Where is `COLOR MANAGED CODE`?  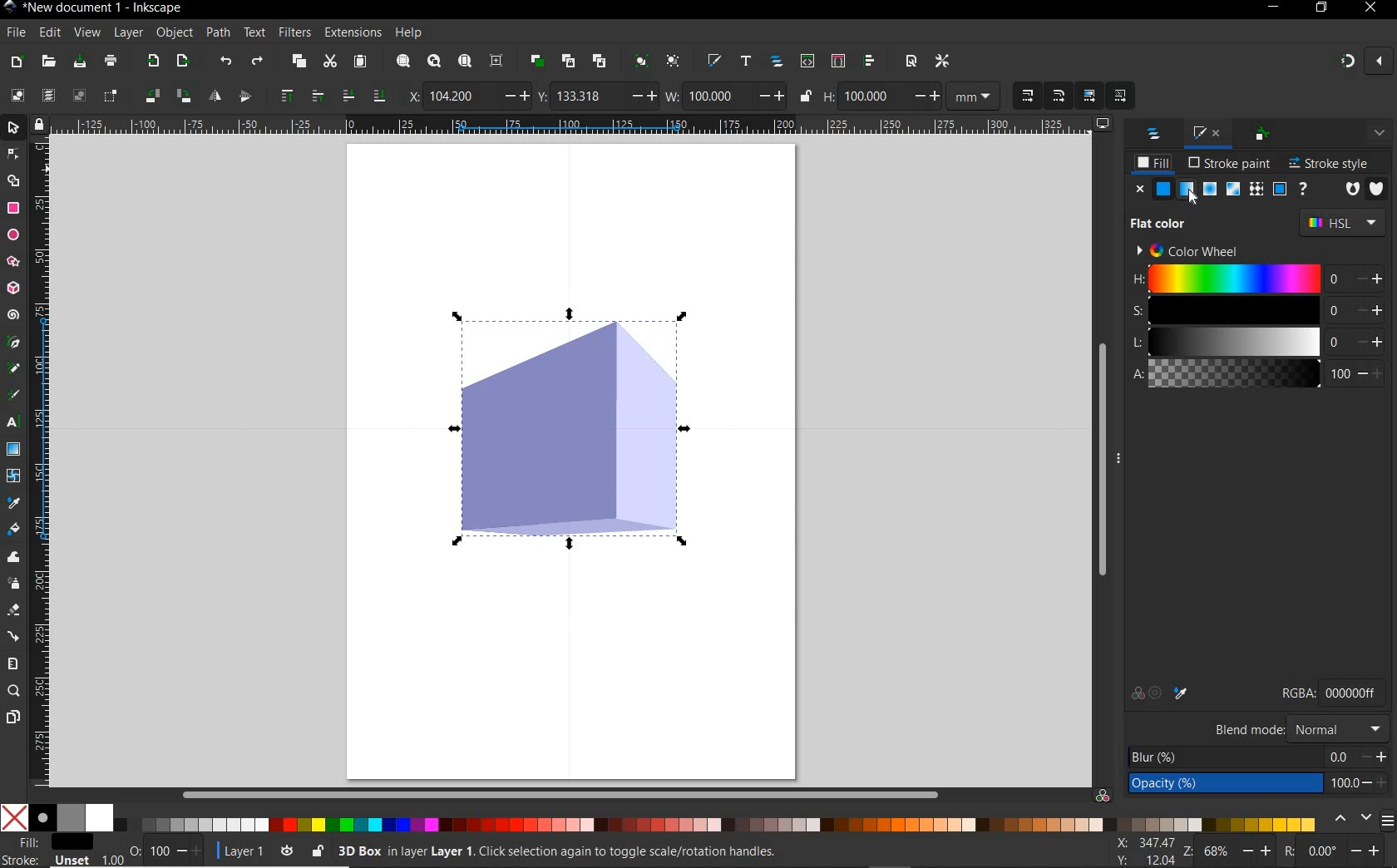 COLOR MANAGED CODE is located at coordinates (1102, 793).